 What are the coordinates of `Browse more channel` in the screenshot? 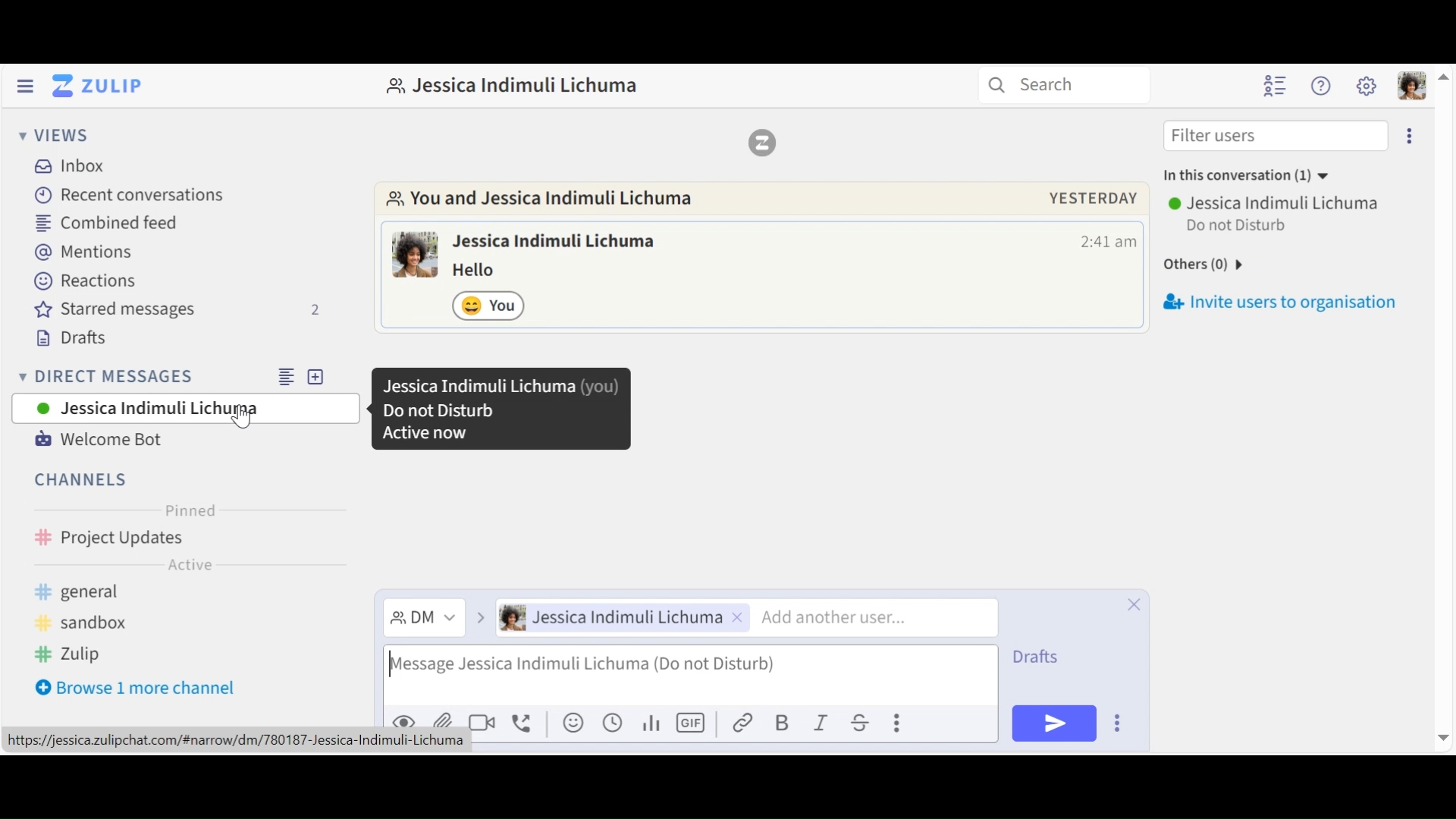 It's located at (146, 690).